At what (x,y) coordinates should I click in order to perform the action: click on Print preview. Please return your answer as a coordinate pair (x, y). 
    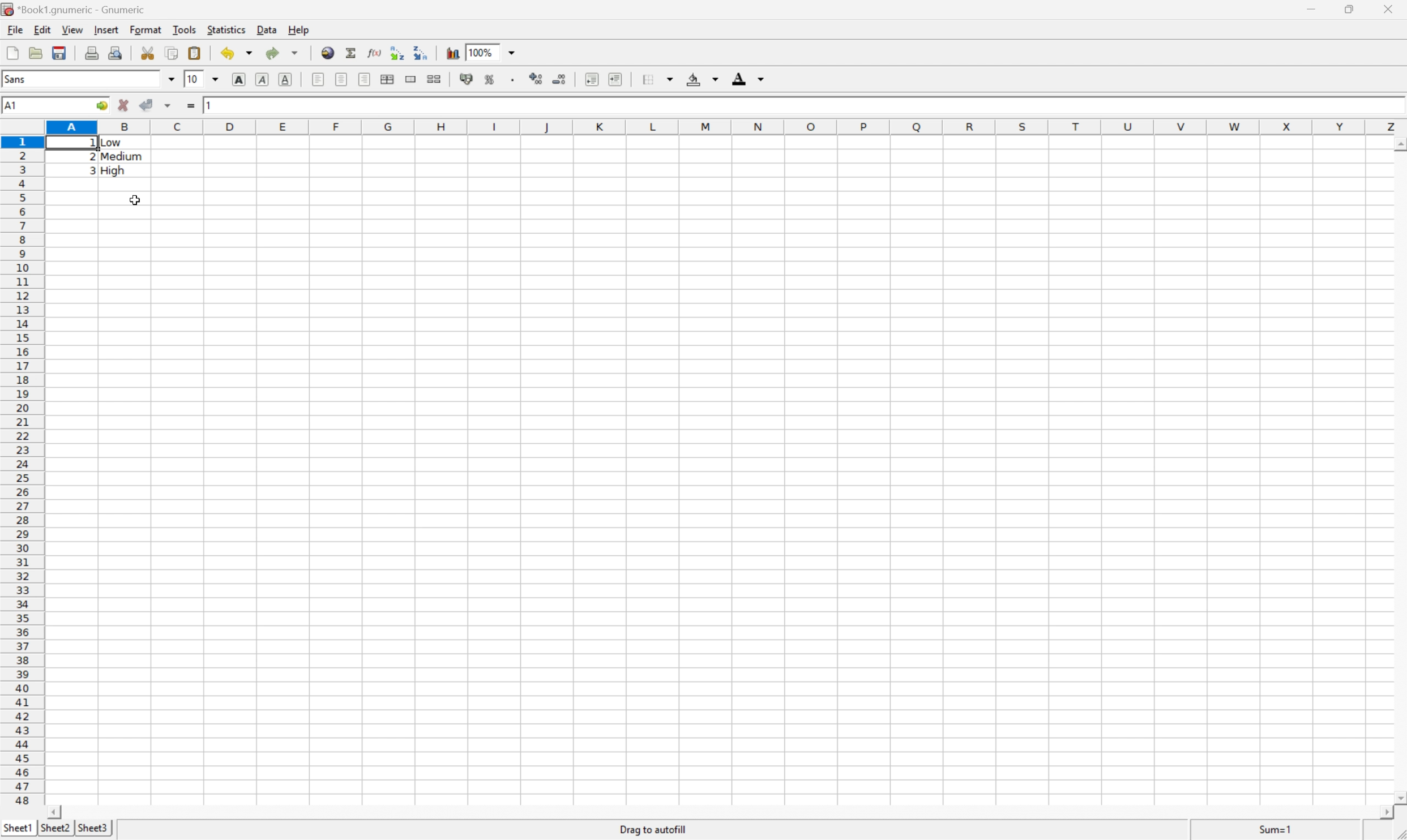
    Looking at the image, I should click on (114, 52).